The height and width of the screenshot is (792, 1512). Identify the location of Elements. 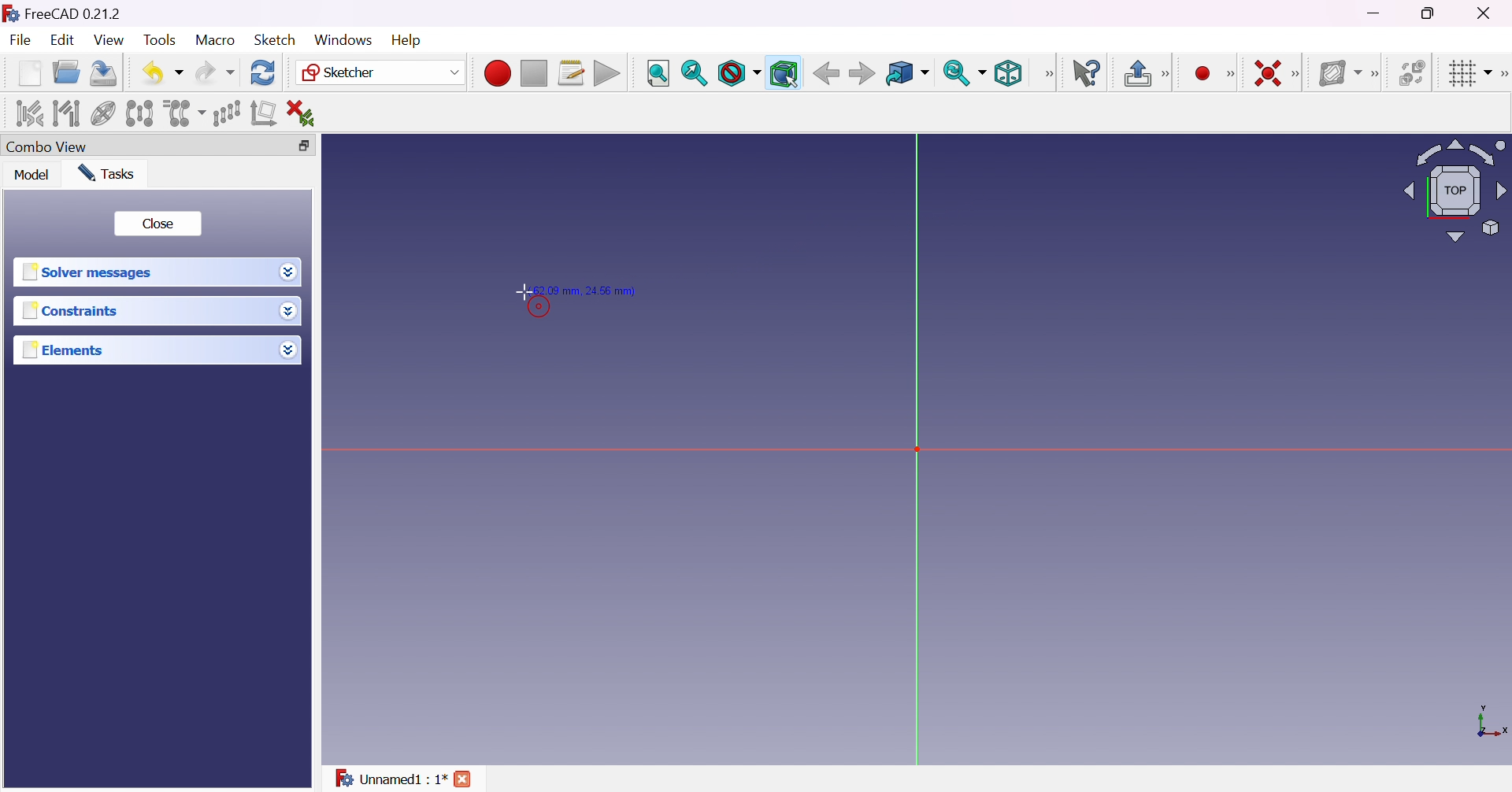
(65, 350).